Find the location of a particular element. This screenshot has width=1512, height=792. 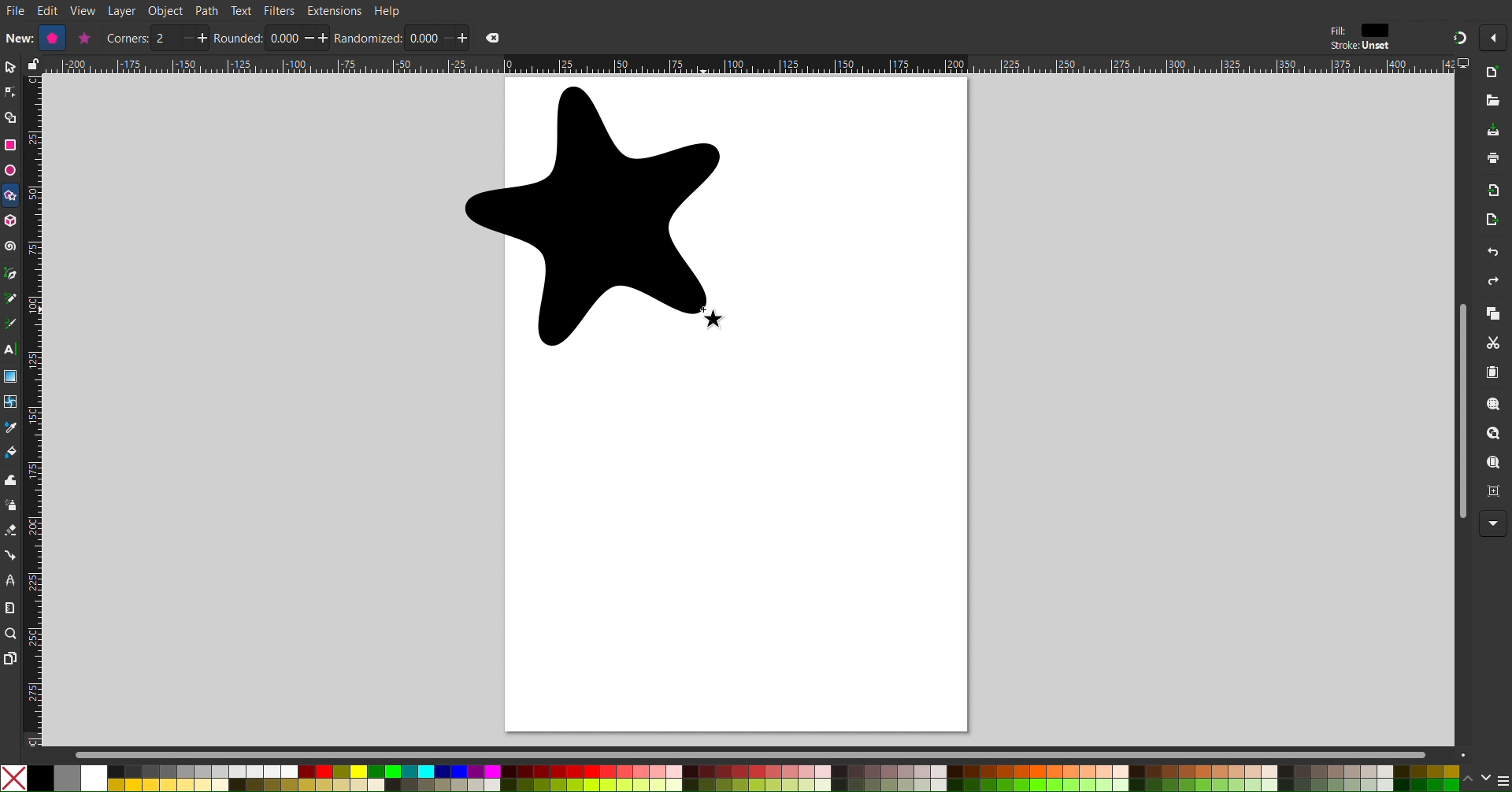

Shape Builder Tool is located at coordinates (11, 118).